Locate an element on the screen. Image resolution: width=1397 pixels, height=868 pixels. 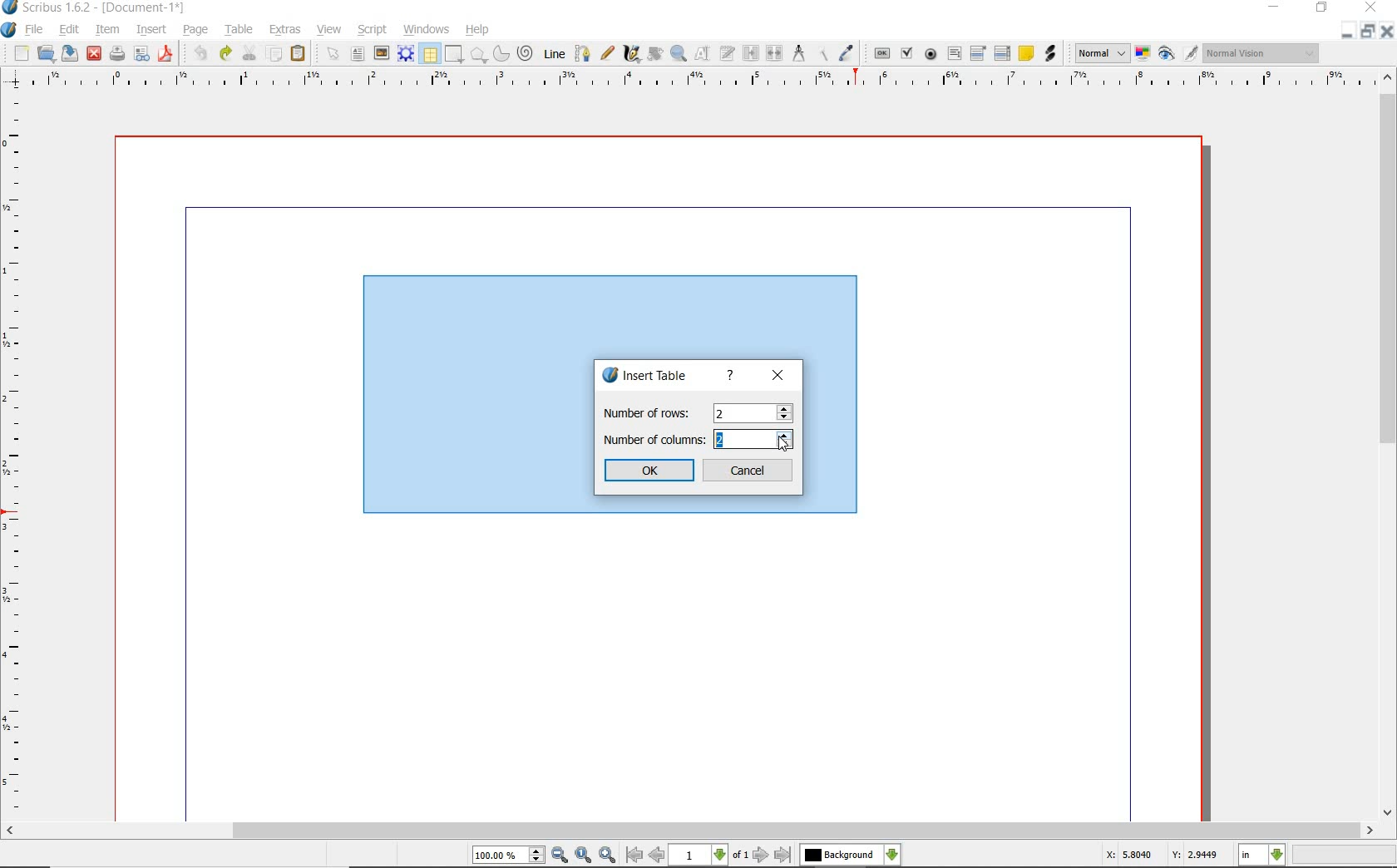
go to next page is located at coordinates (761, 855).